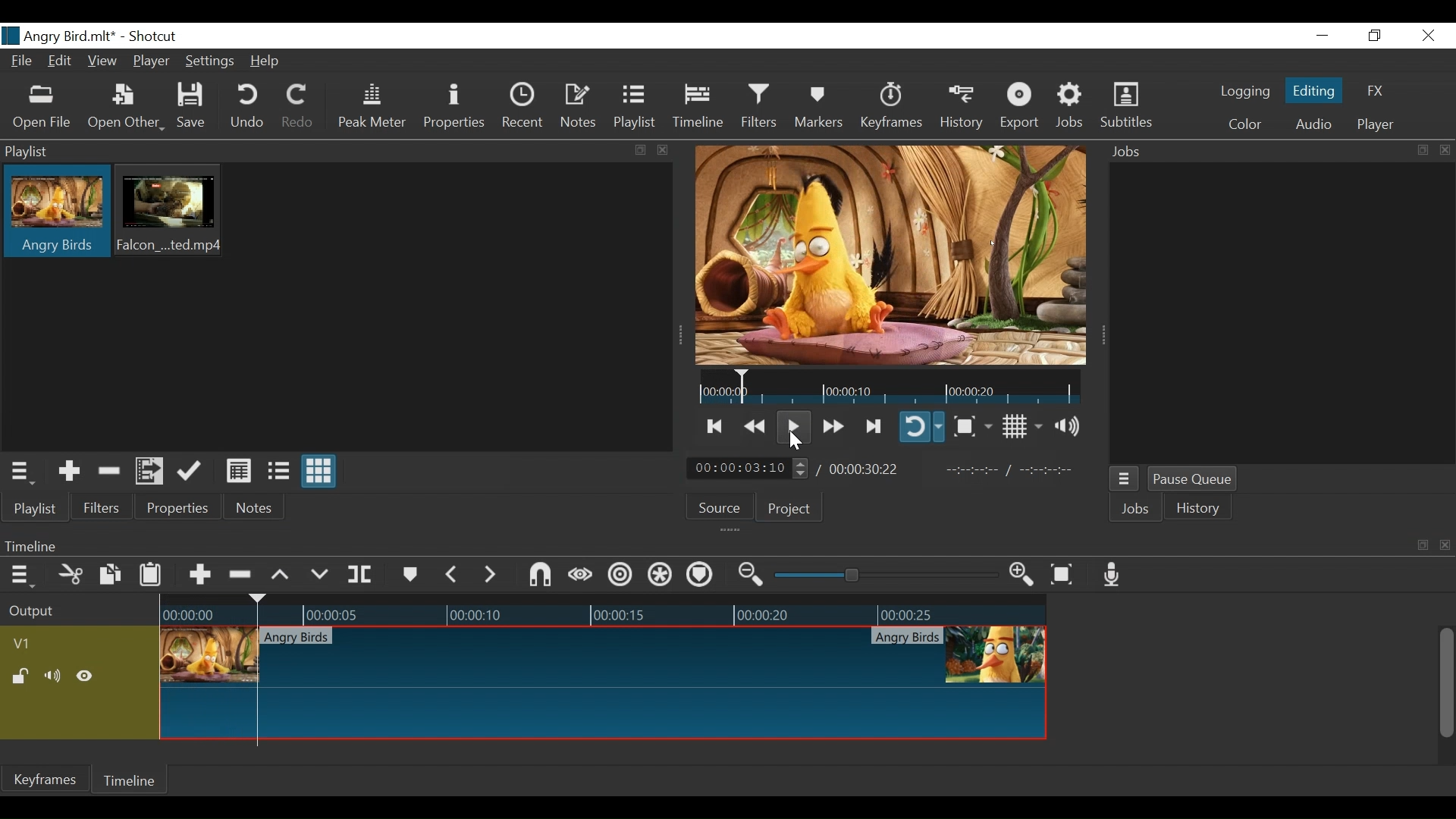 Image resolution: width=1456 pixels, height=819 pixels. Describe the element at coordinates (67, 471) in the screenshot. I see `Add the Source to the playlist` at that location.